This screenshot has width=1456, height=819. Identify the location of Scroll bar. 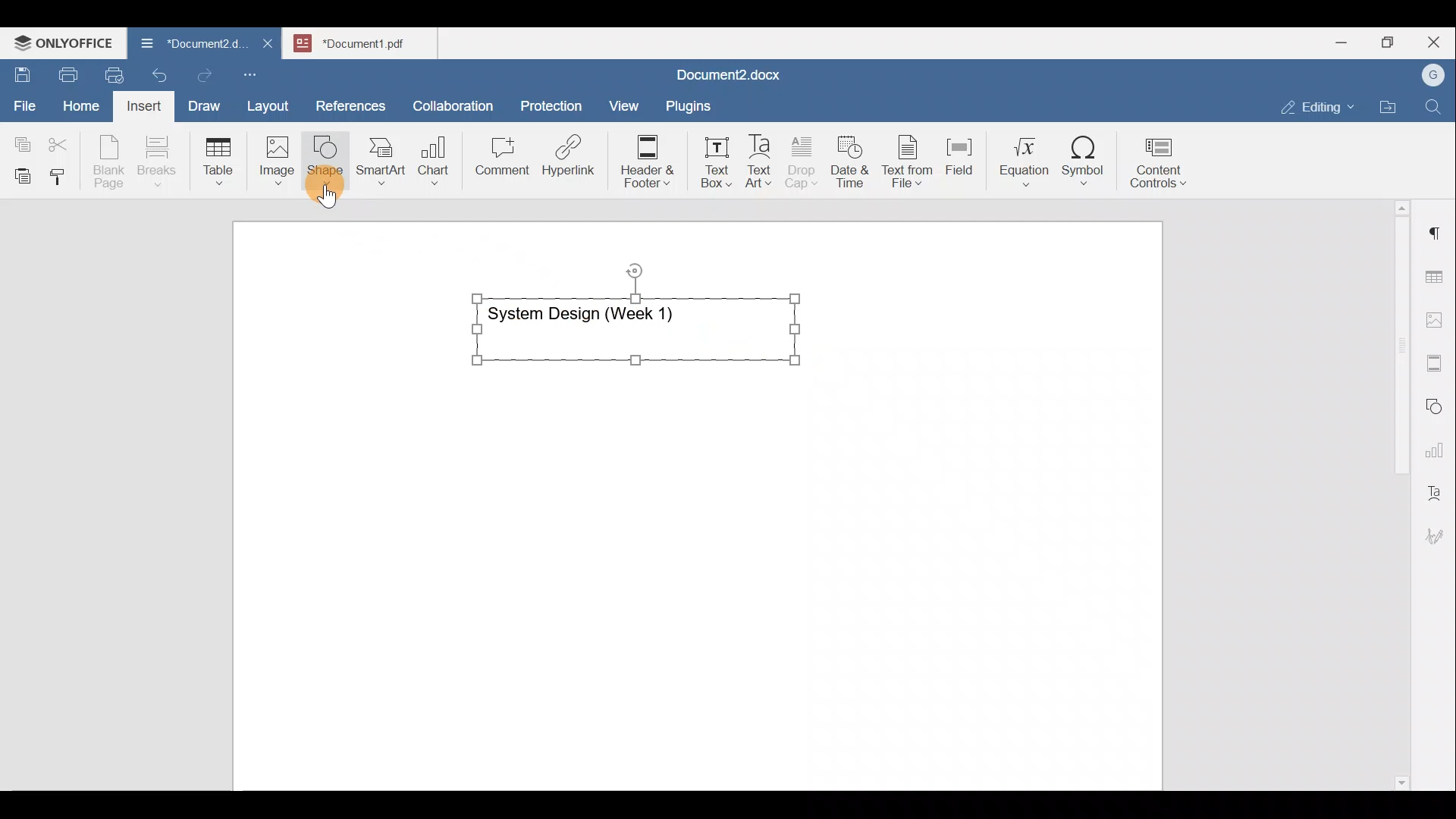
(1396, 492).